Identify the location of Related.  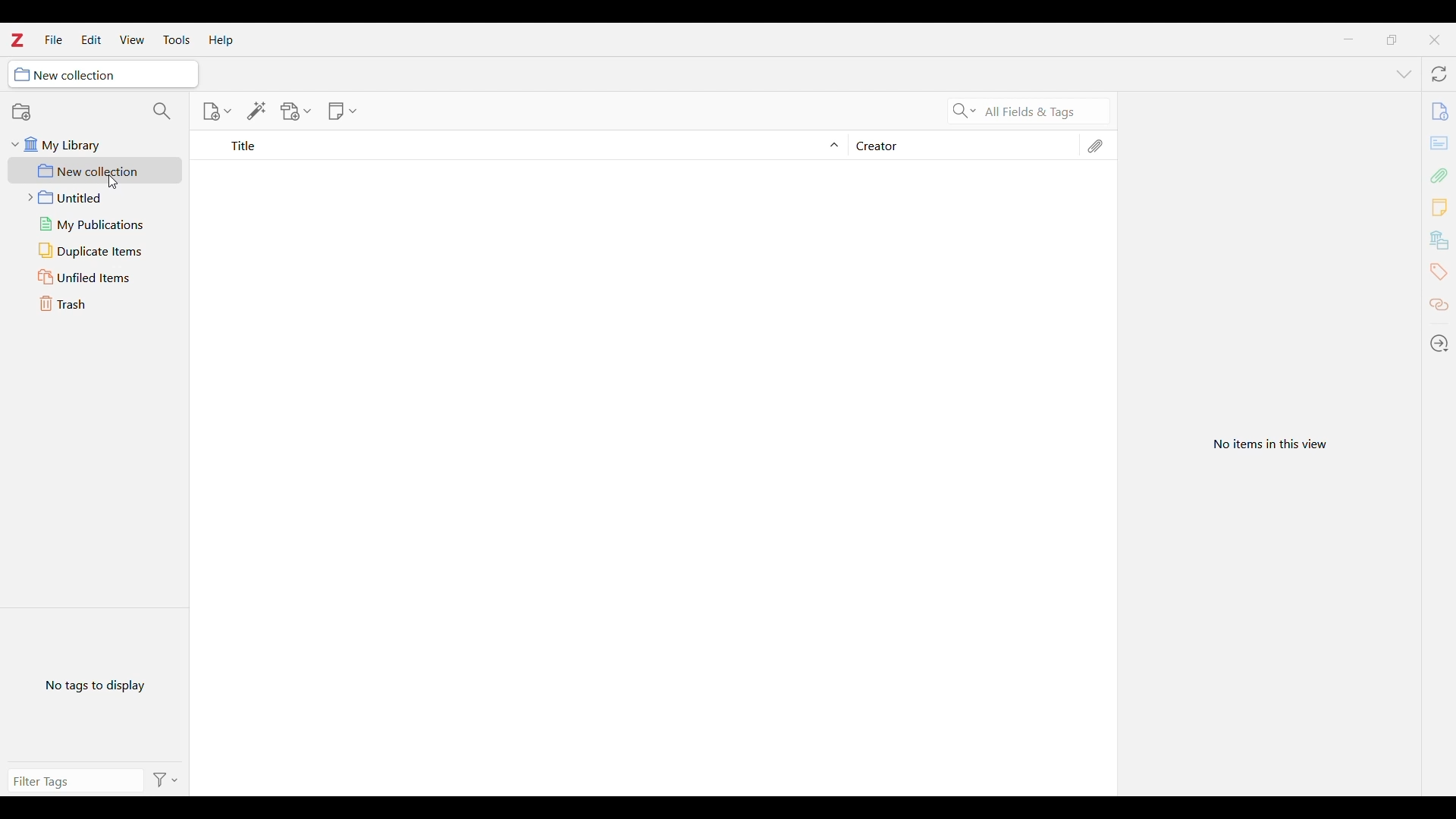
(1439, 306).